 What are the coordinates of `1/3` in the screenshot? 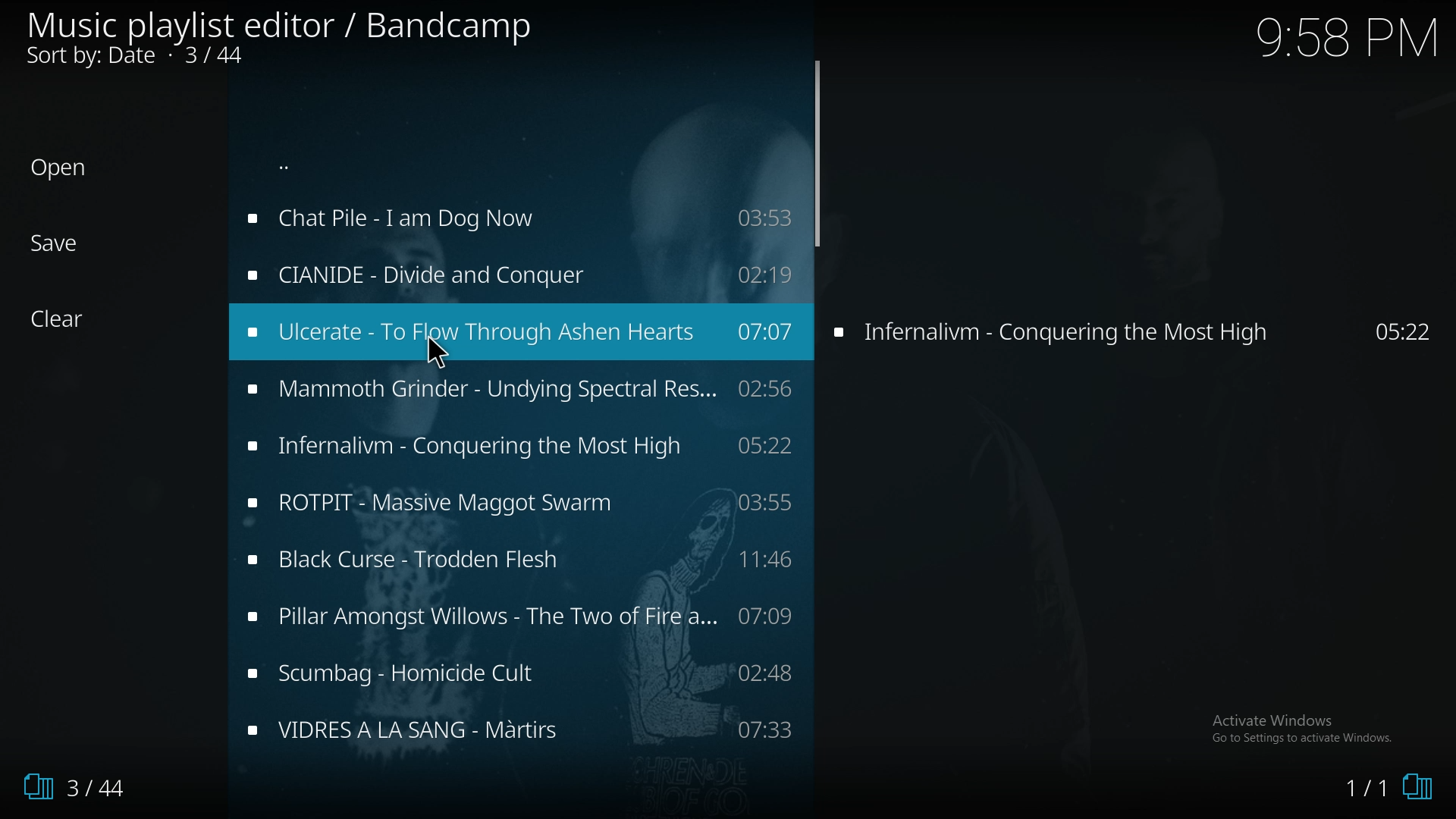 It's located at (68, 787).